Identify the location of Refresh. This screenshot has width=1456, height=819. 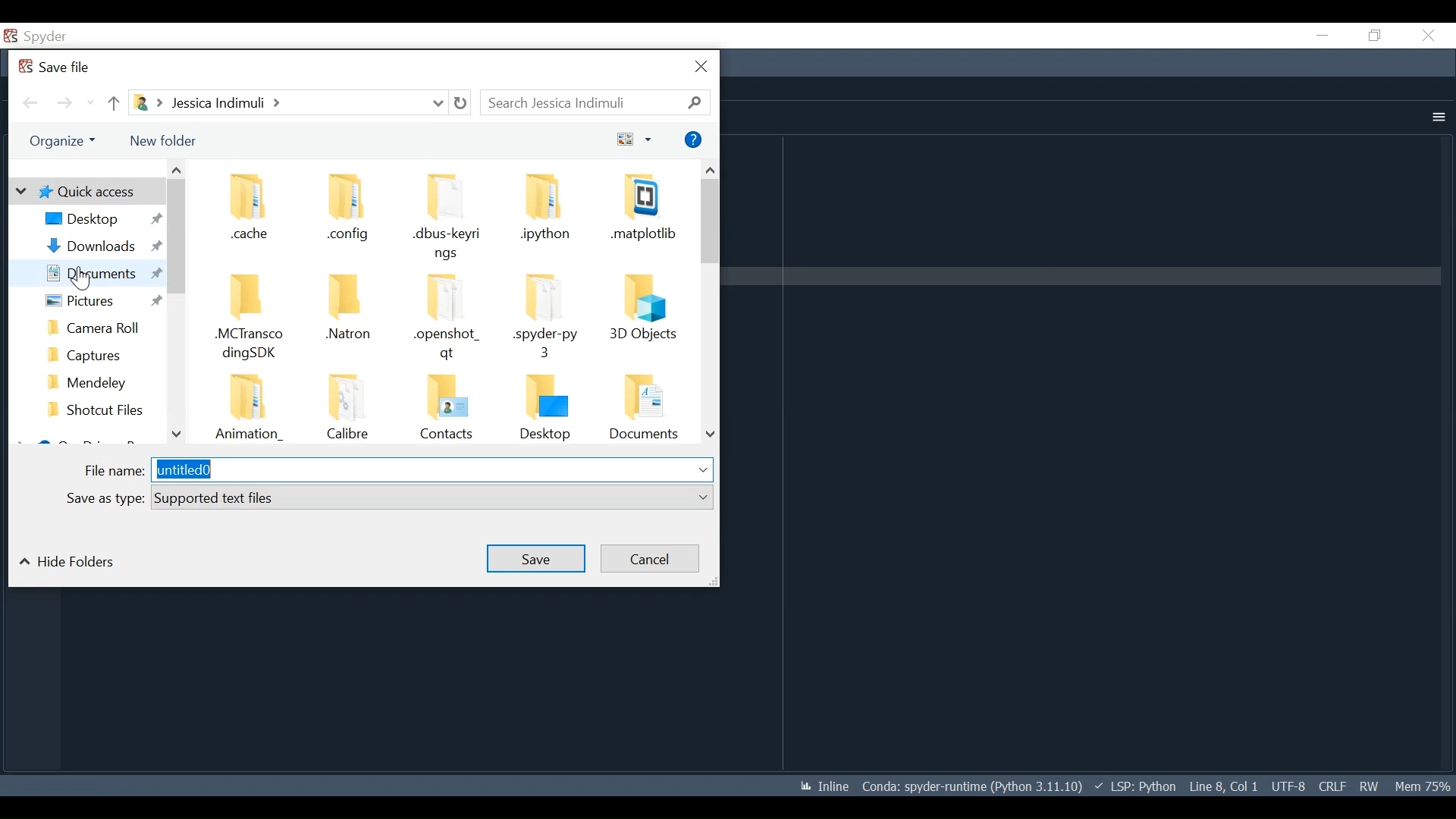
(460, 103).